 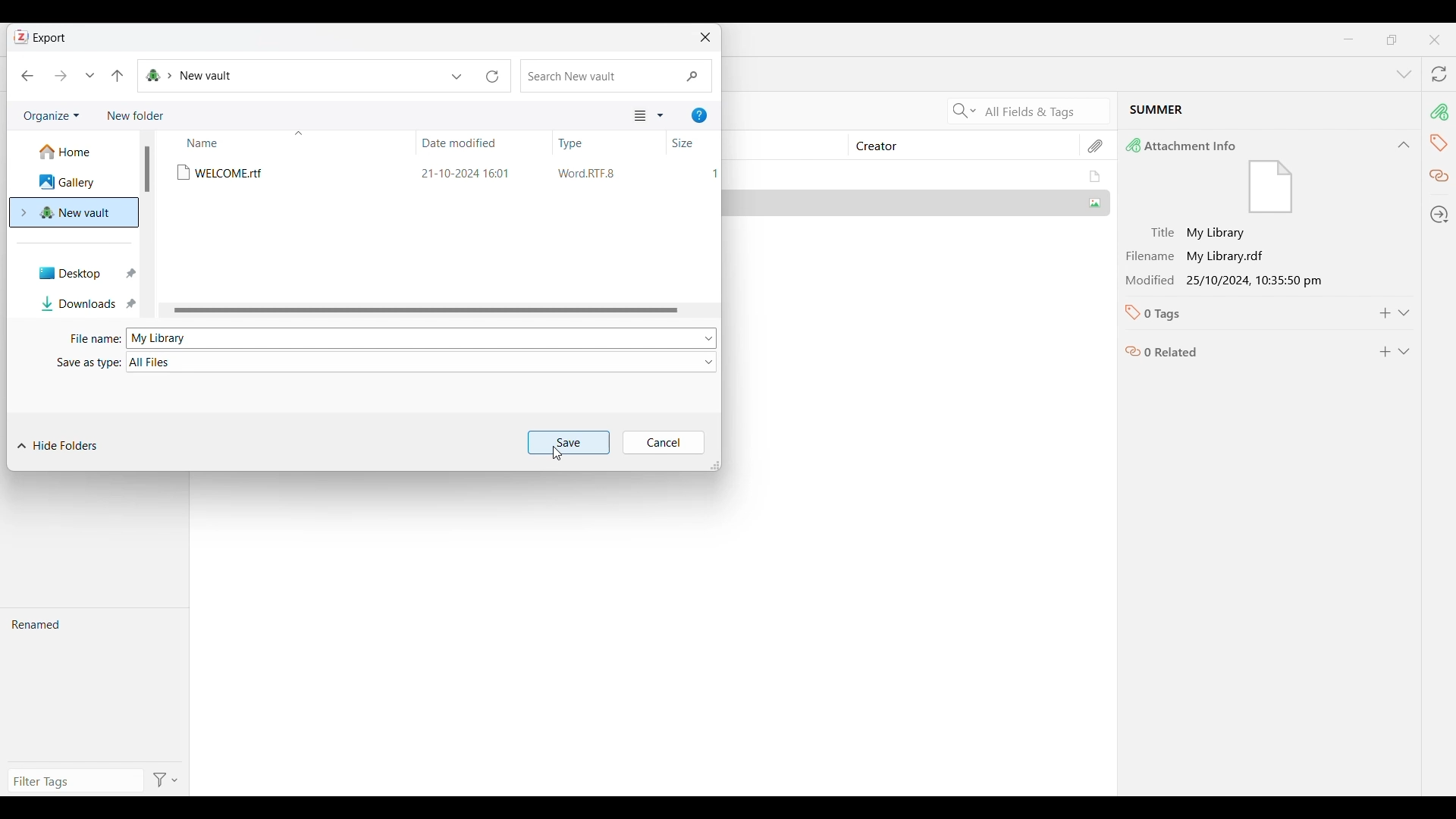 I want to click on Previous locations, so click(x=457, y=76).